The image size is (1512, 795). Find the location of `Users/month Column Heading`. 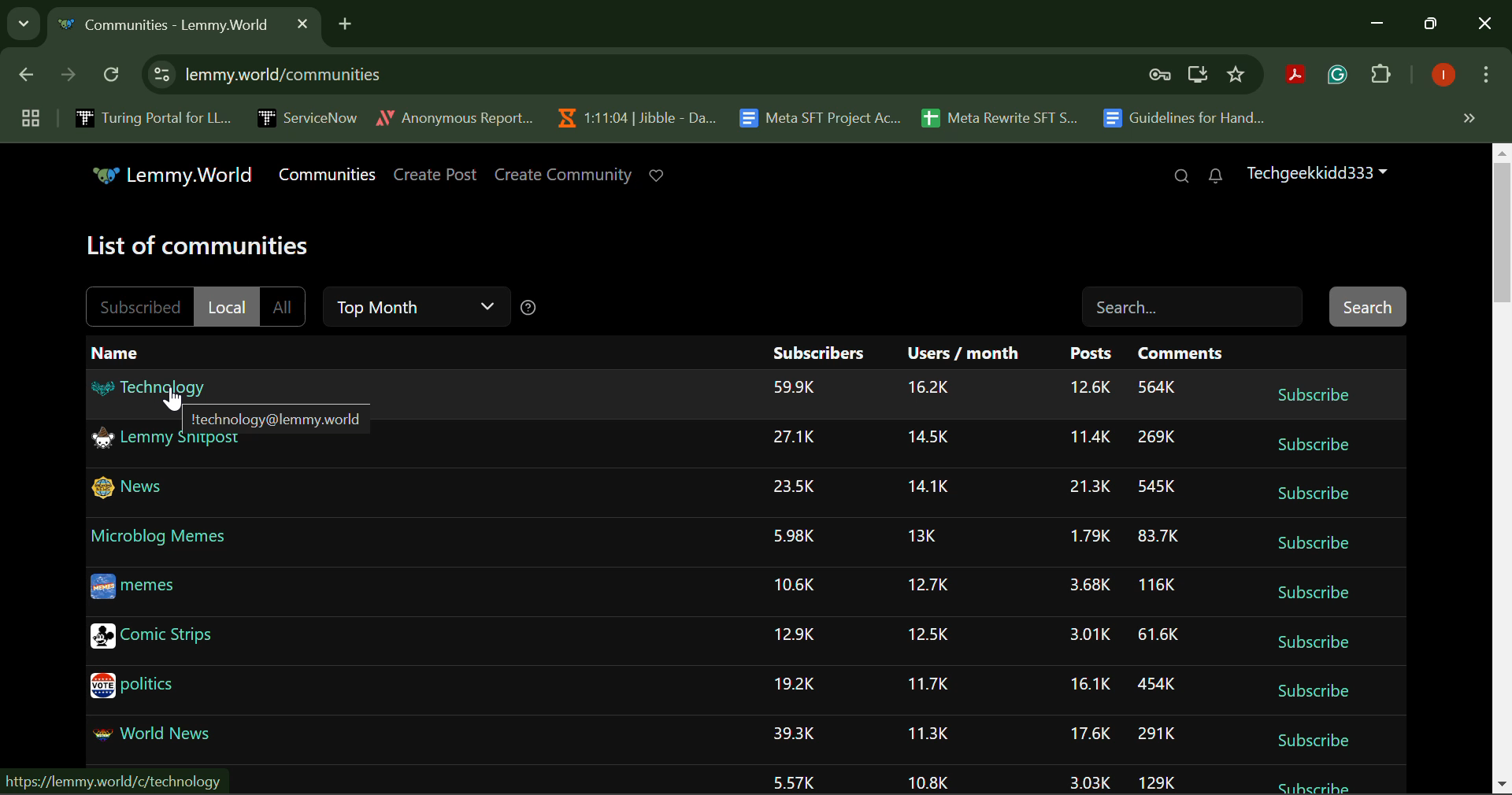

Users/month Column Heading is located at coordinates (965, 353).